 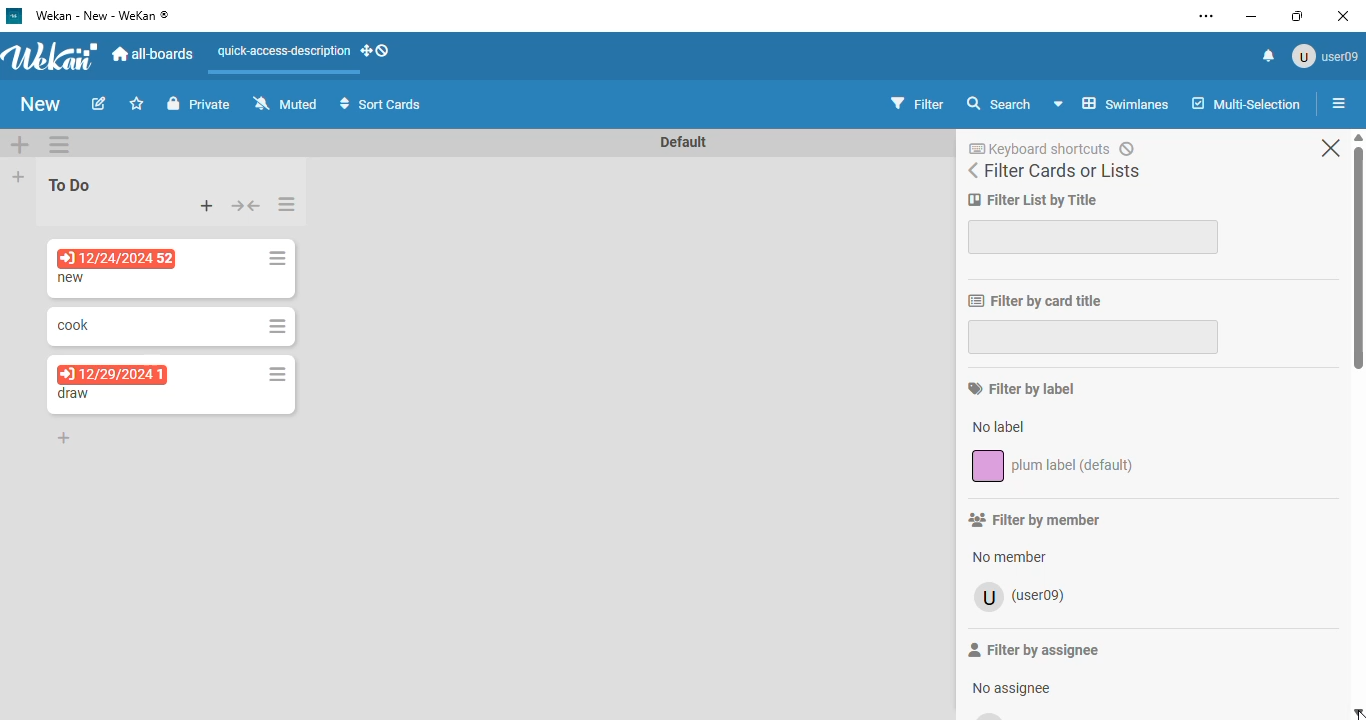 What do you see at coordinates (277, 259) in the screenshot?
I see `card actions` at bounding box center [277, 259].